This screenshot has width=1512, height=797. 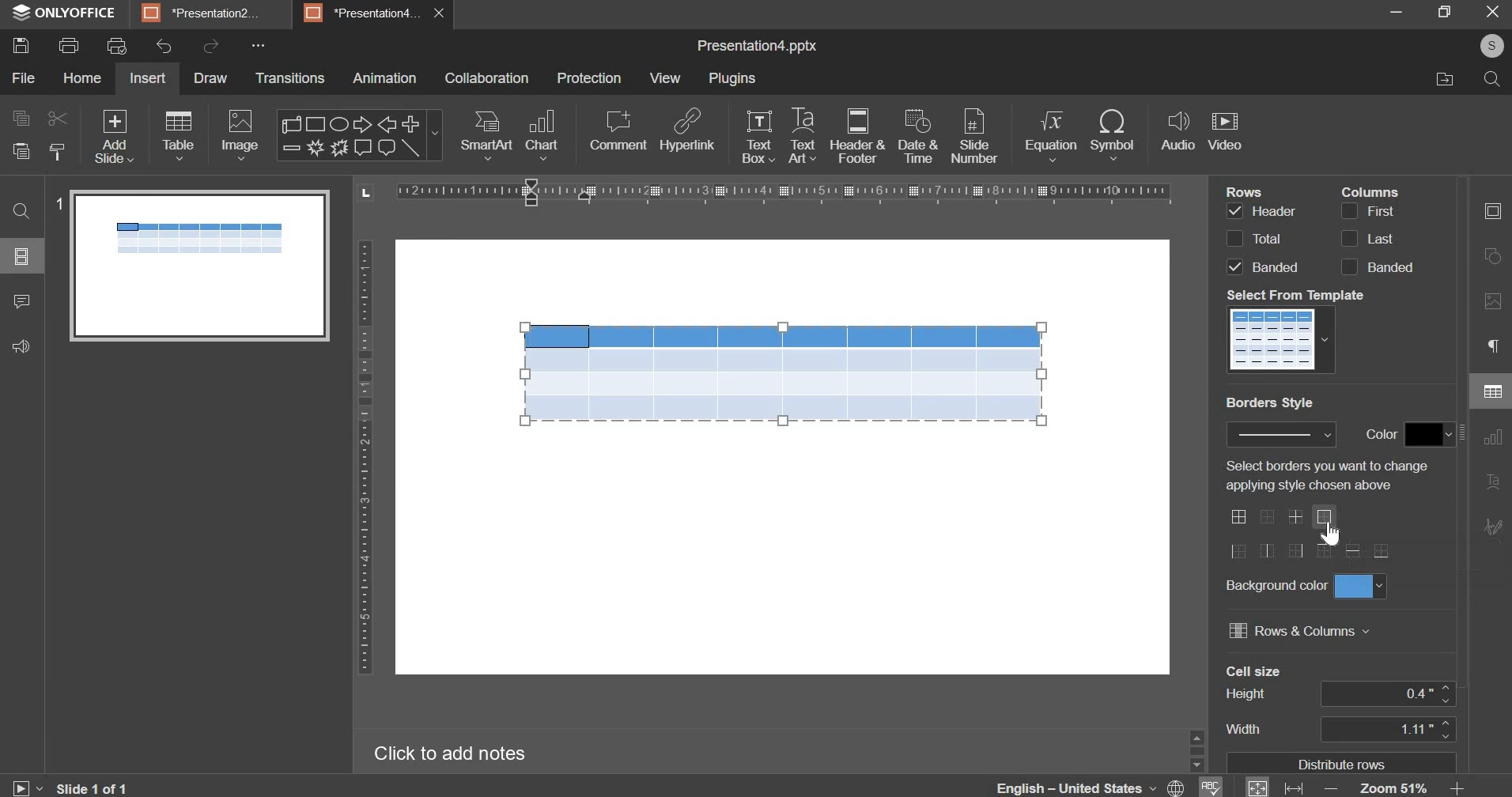 What do you see at coordinates (590, 78) in the screenshot?
I see `protection` at bounding box center [590, 78].